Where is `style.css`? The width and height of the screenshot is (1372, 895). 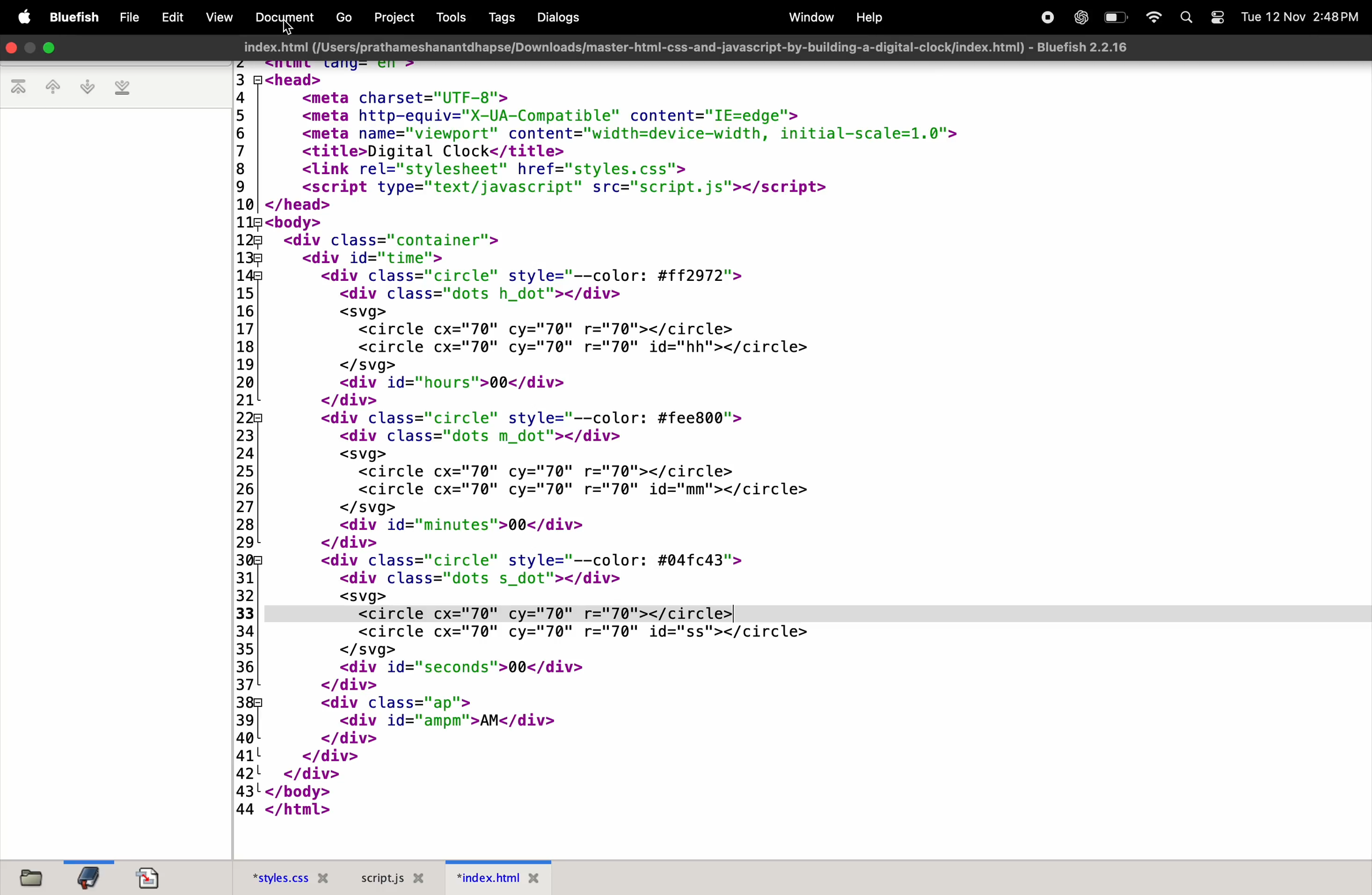
style.css is located at coordinates (286, 876).